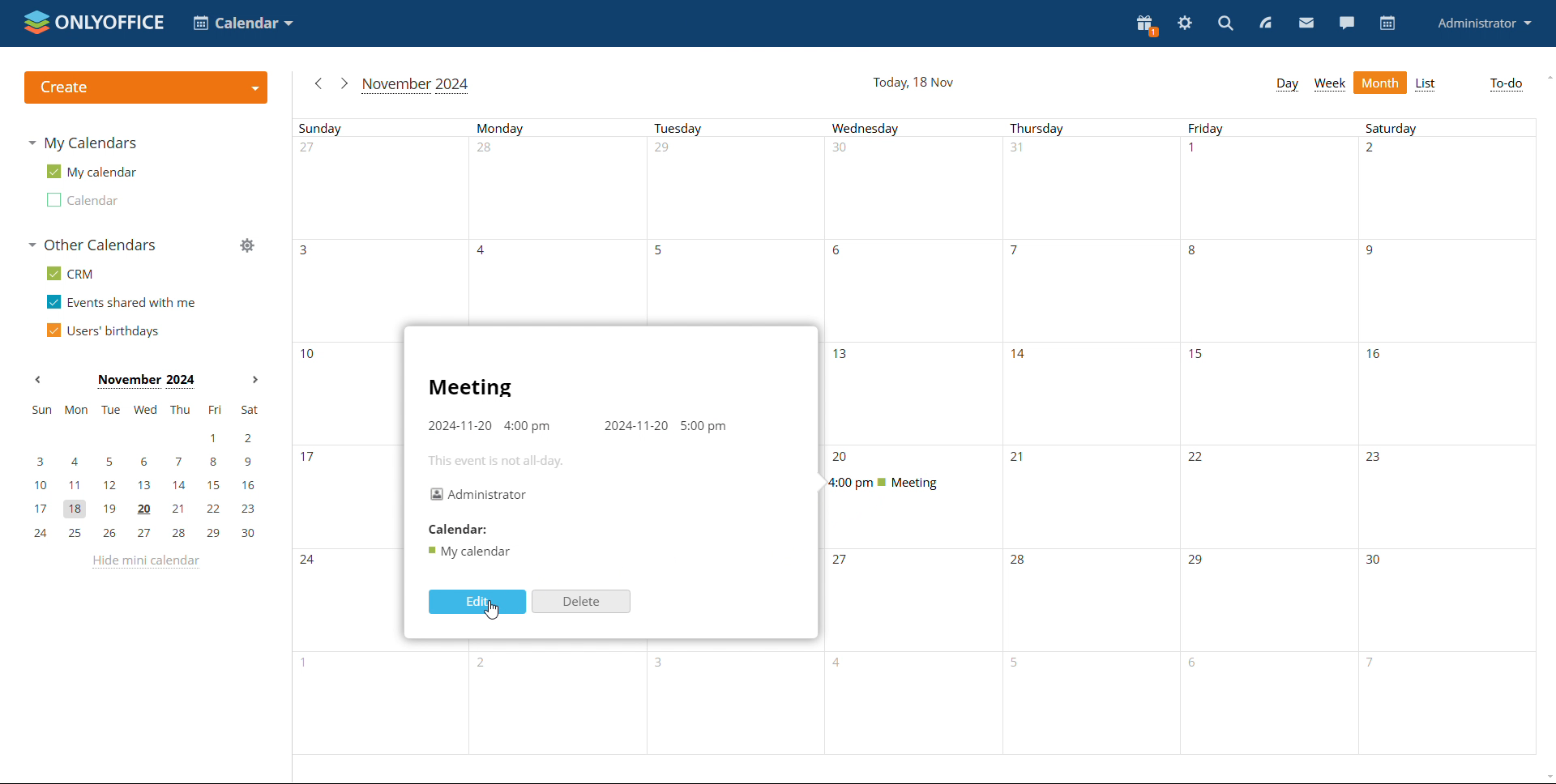 The image size is (1556, 784). I want to click on tuesdays, so click(737, 222).